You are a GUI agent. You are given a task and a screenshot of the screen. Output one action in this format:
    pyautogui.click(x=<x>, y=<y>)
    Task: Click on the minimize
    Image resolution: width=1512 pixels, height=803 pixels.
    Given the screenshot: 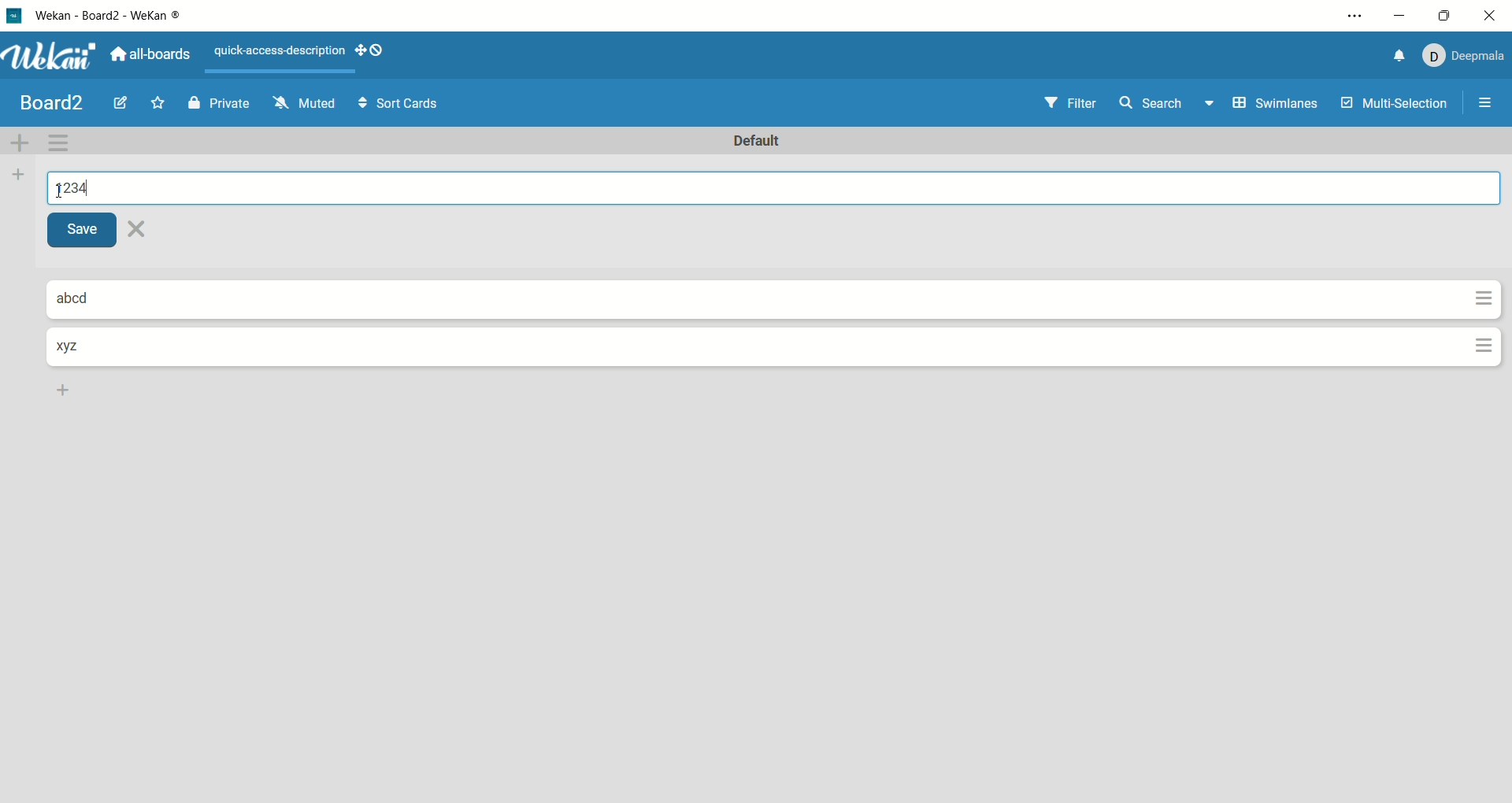 What is the action you would take?
    pyautogui.click(x=1401, y=13)
    